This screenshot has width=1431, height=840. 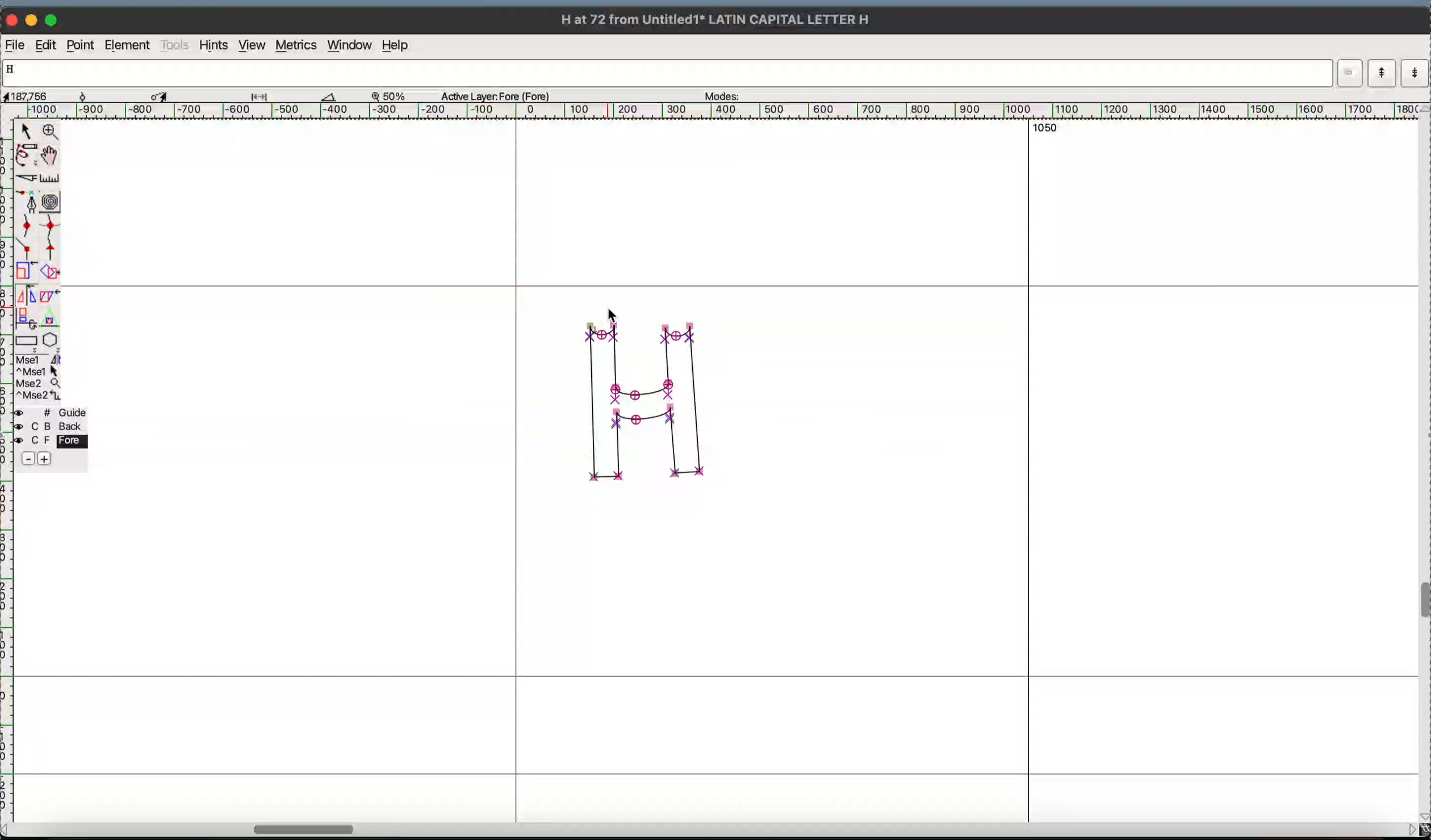 What do you see at coordinates (726, 111) in the screenshot?
I see `ruler` at bounding box center [726, 111].